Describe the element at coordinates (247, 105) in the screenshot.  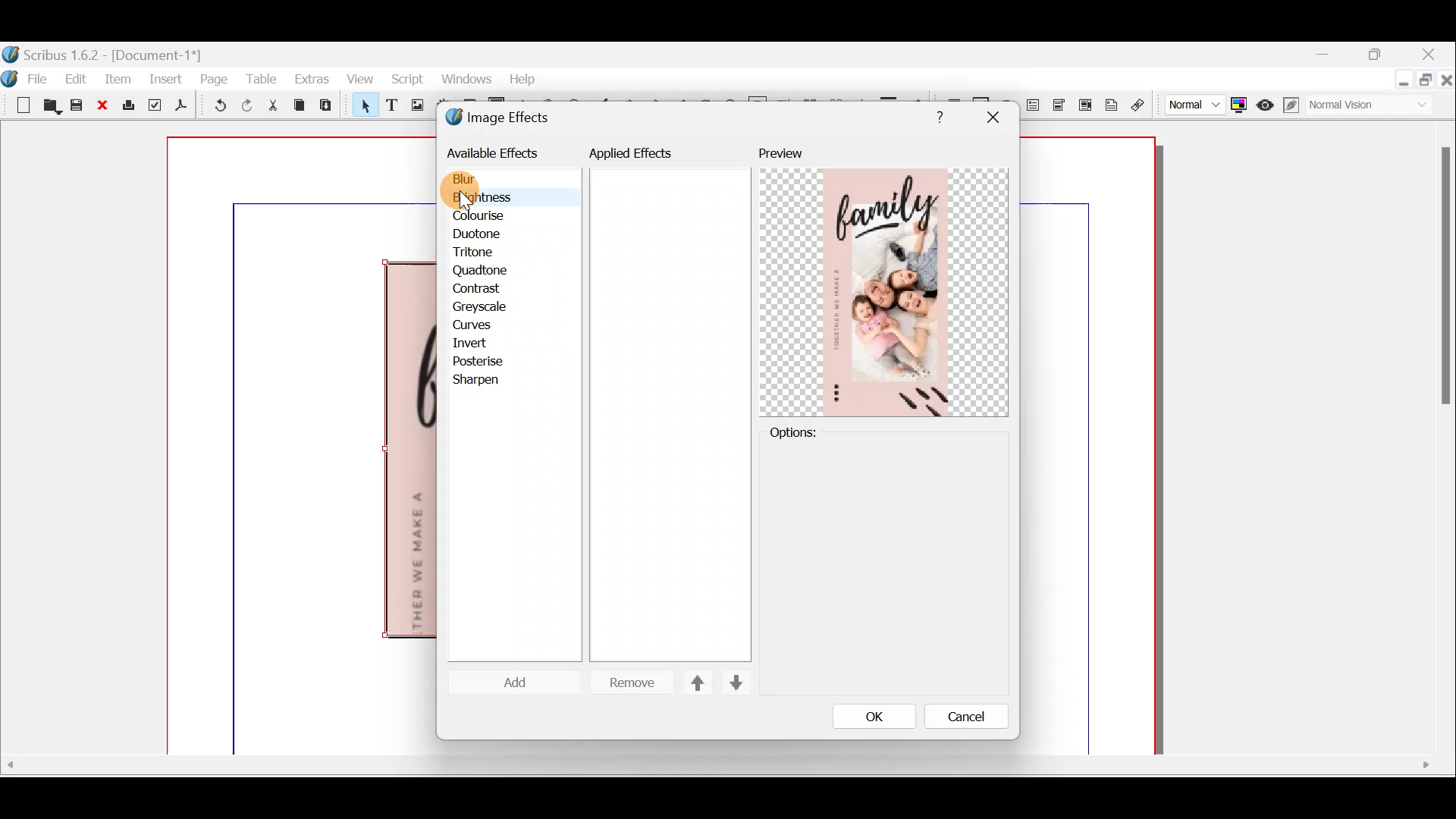
I see `Redo` at that location.